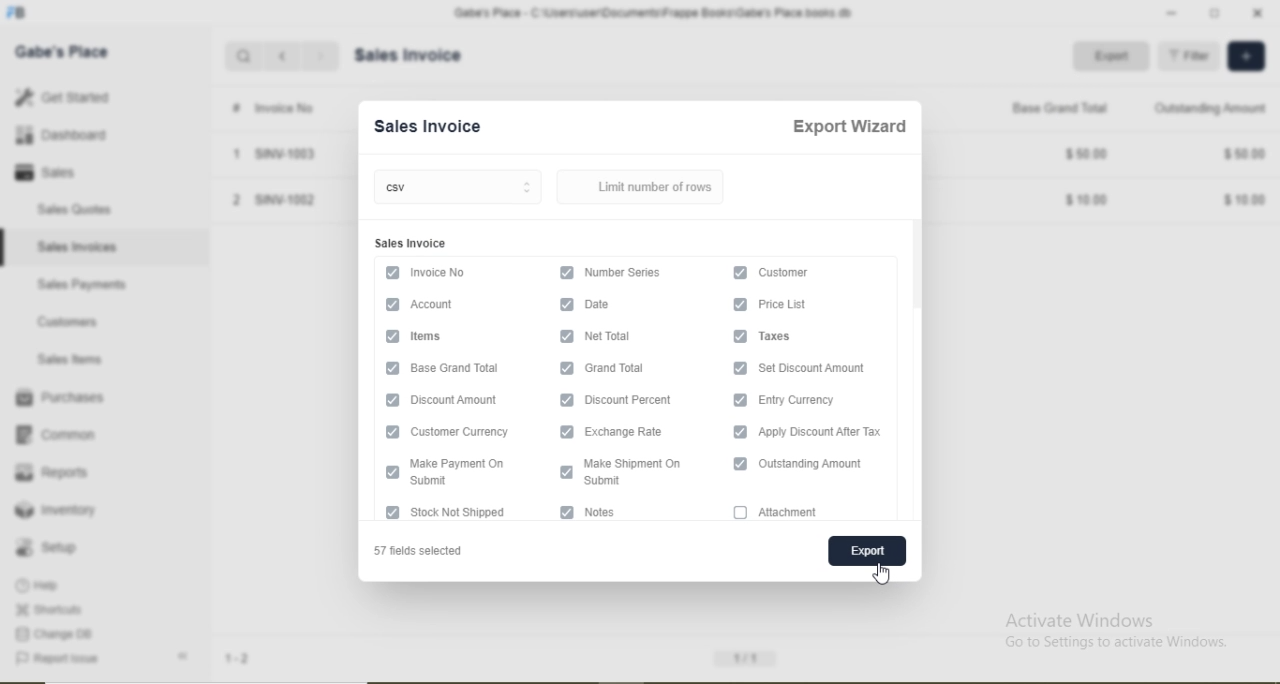  I want to click on Limit number of rows., so click(650, 187).